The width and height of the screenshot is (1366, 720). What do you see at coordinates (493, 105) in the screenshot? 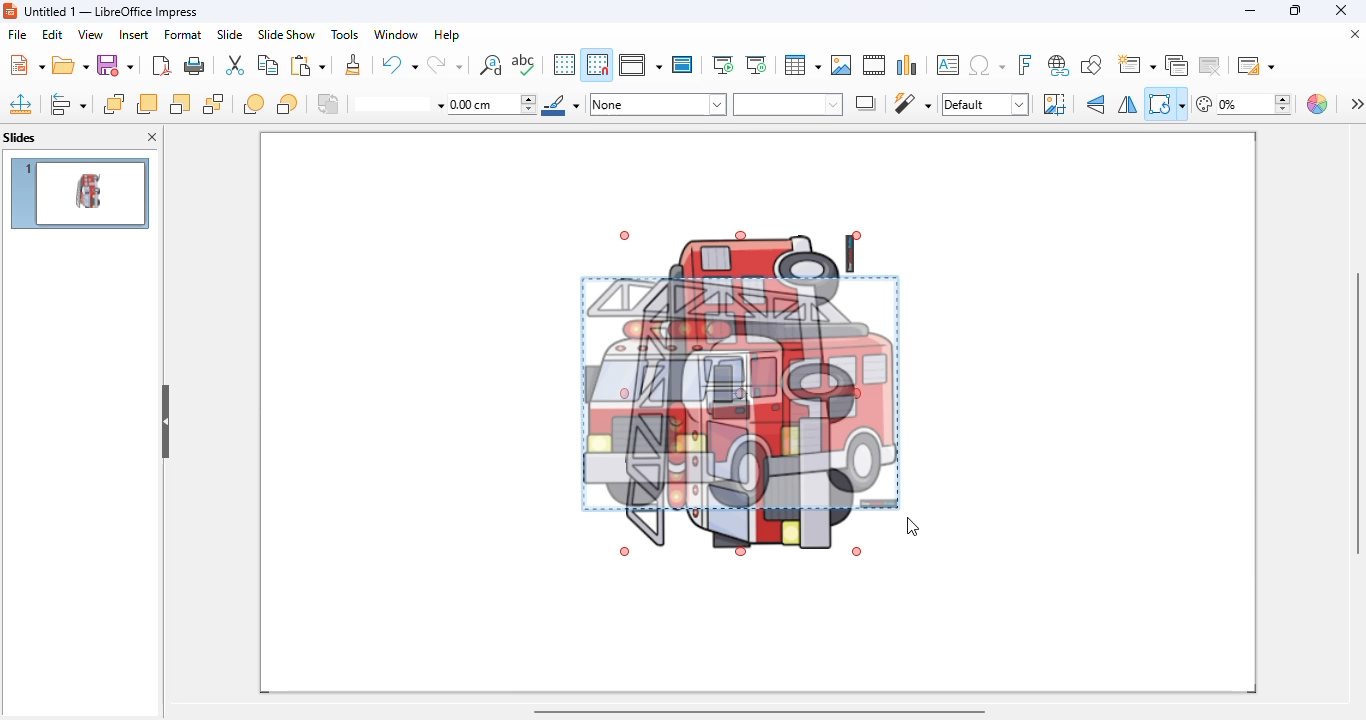
I see `line thickness` at bounding box center [493, 105].